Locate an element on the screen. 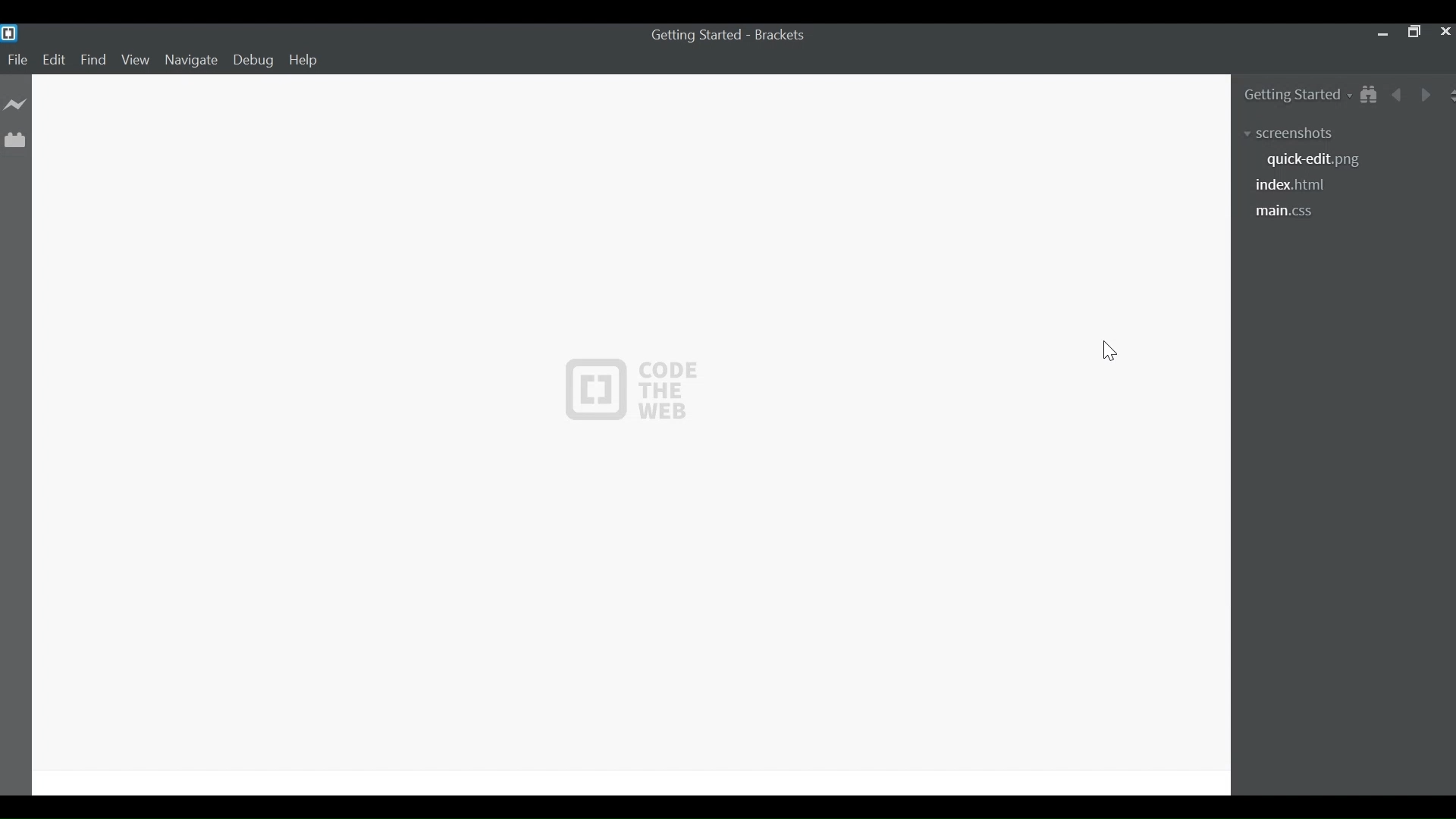  Live Preview is located at coordinates (15, 104).